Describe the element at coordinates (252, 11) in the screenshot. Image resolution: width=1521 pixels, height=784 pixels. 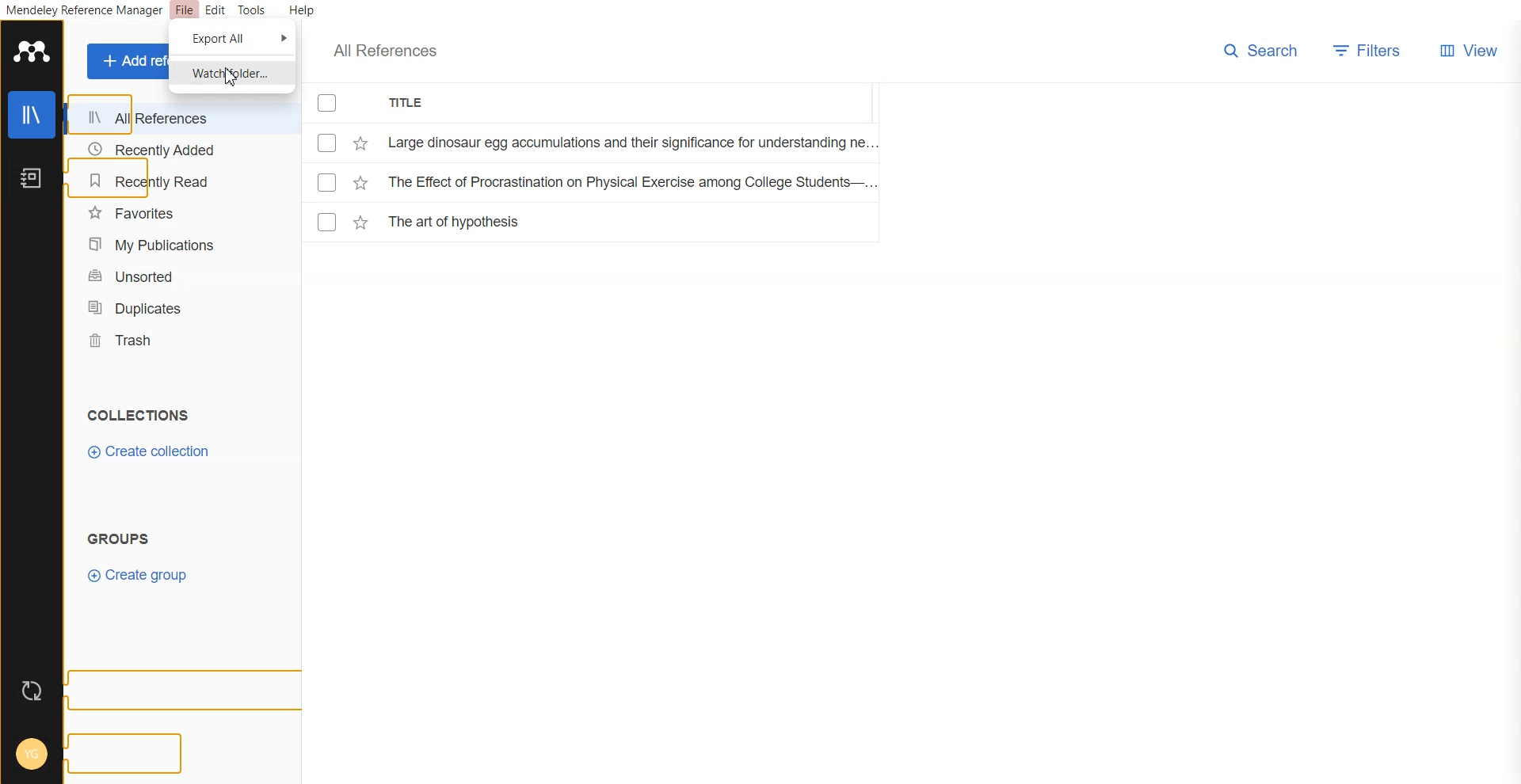
I see `Tools` at that location.